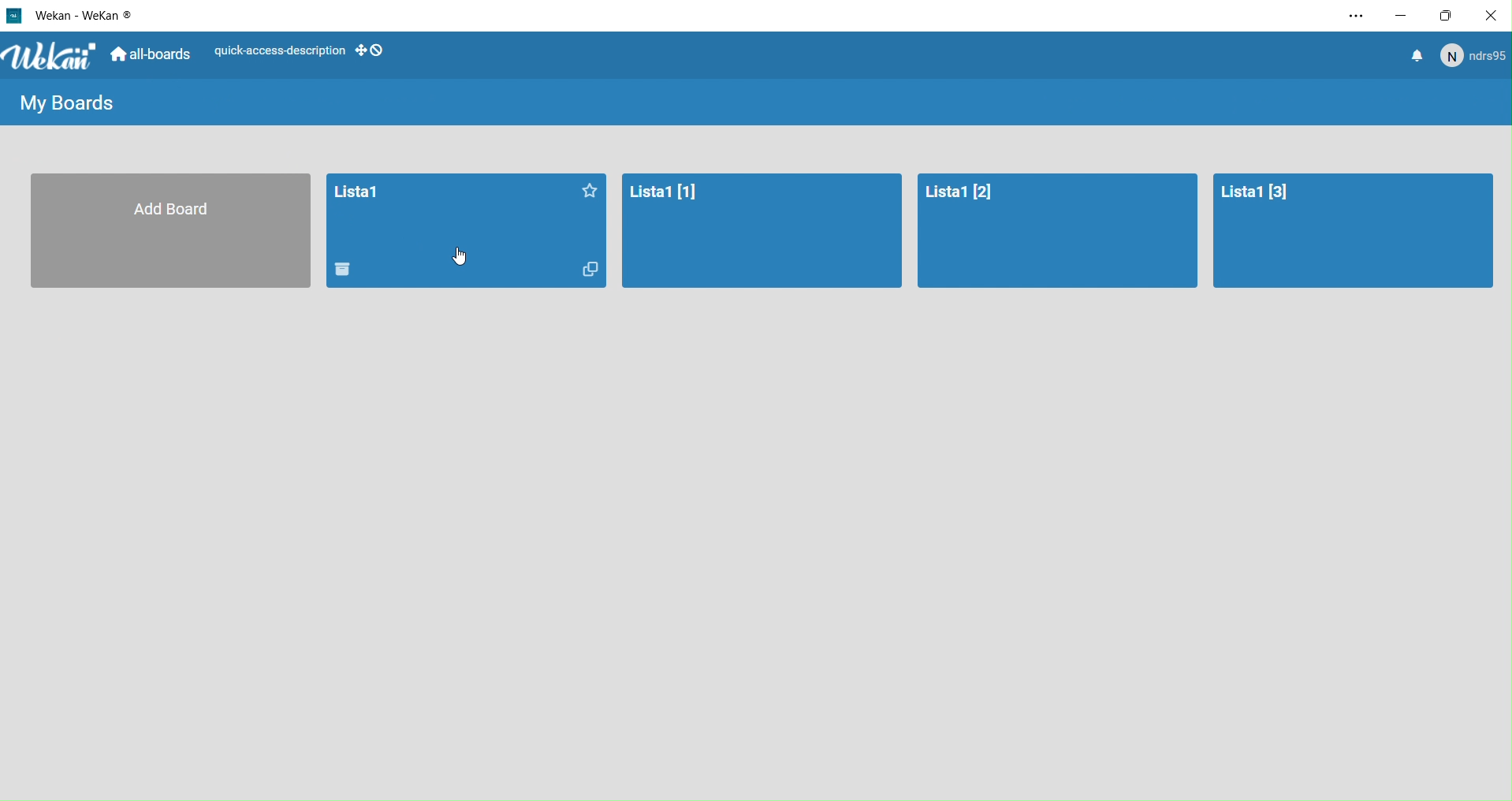 The height and width of the screenshot is (801, 1512). Describe the element at coordinates (303, 56) in the screenshot. I see `Layout options` at that location.